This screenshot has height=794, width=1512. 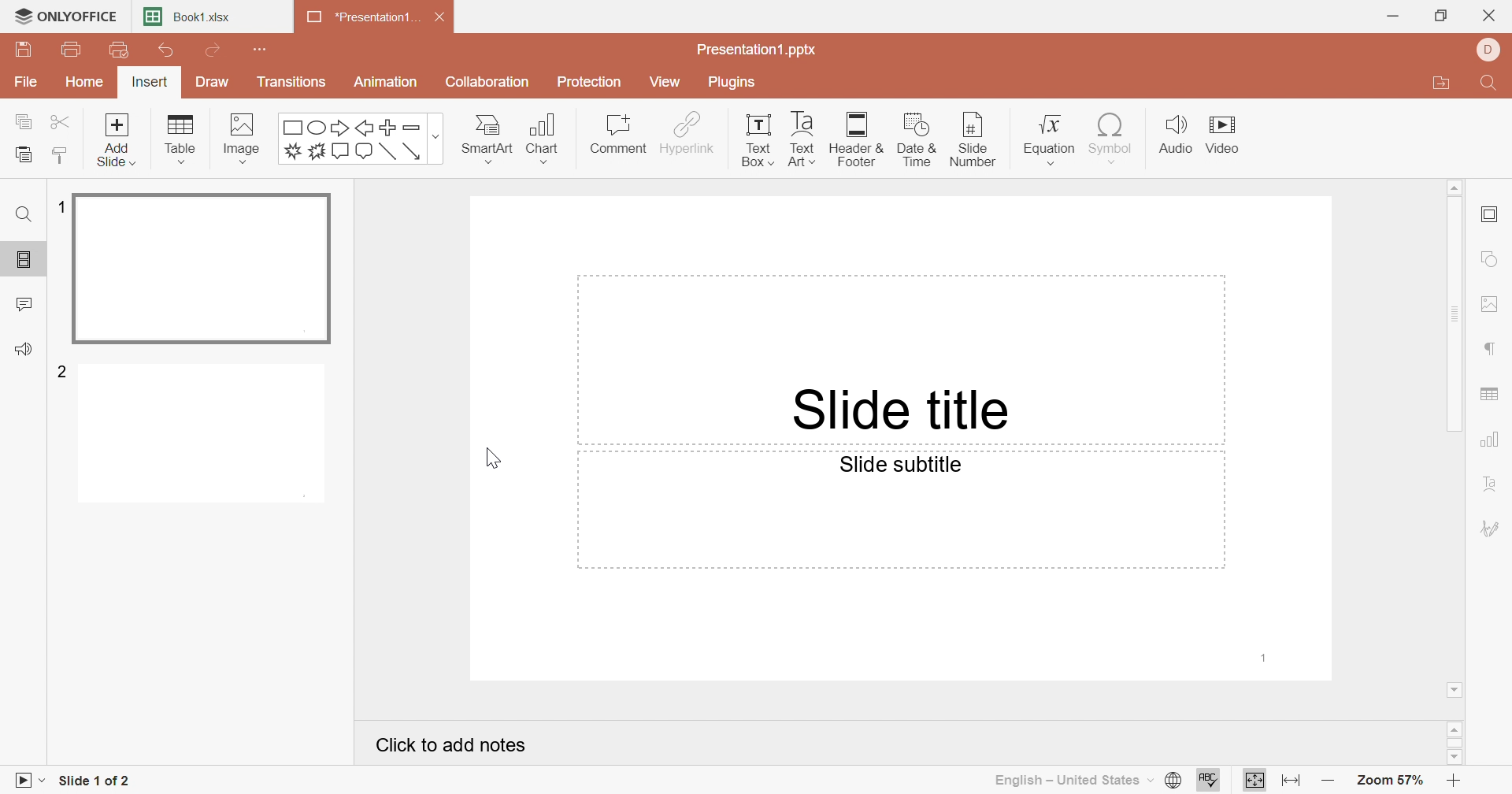 What do you see at coordinates (65, 14) in the screenshot?
I see `ONLYOFFICE` at bounding box center [65, 14].